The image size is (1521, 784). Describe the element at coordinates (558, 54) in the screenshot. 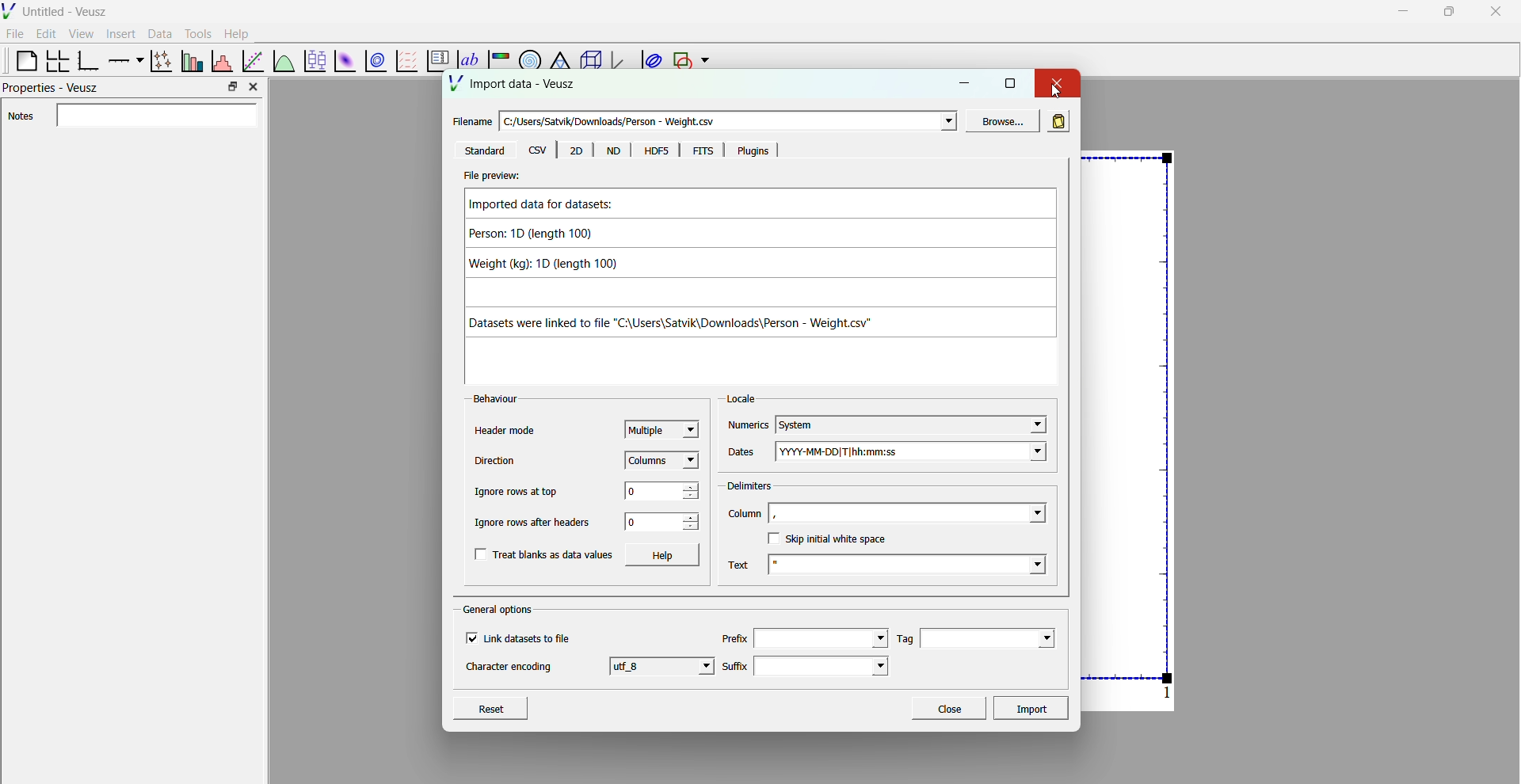

I see `ternary graph` at that location.